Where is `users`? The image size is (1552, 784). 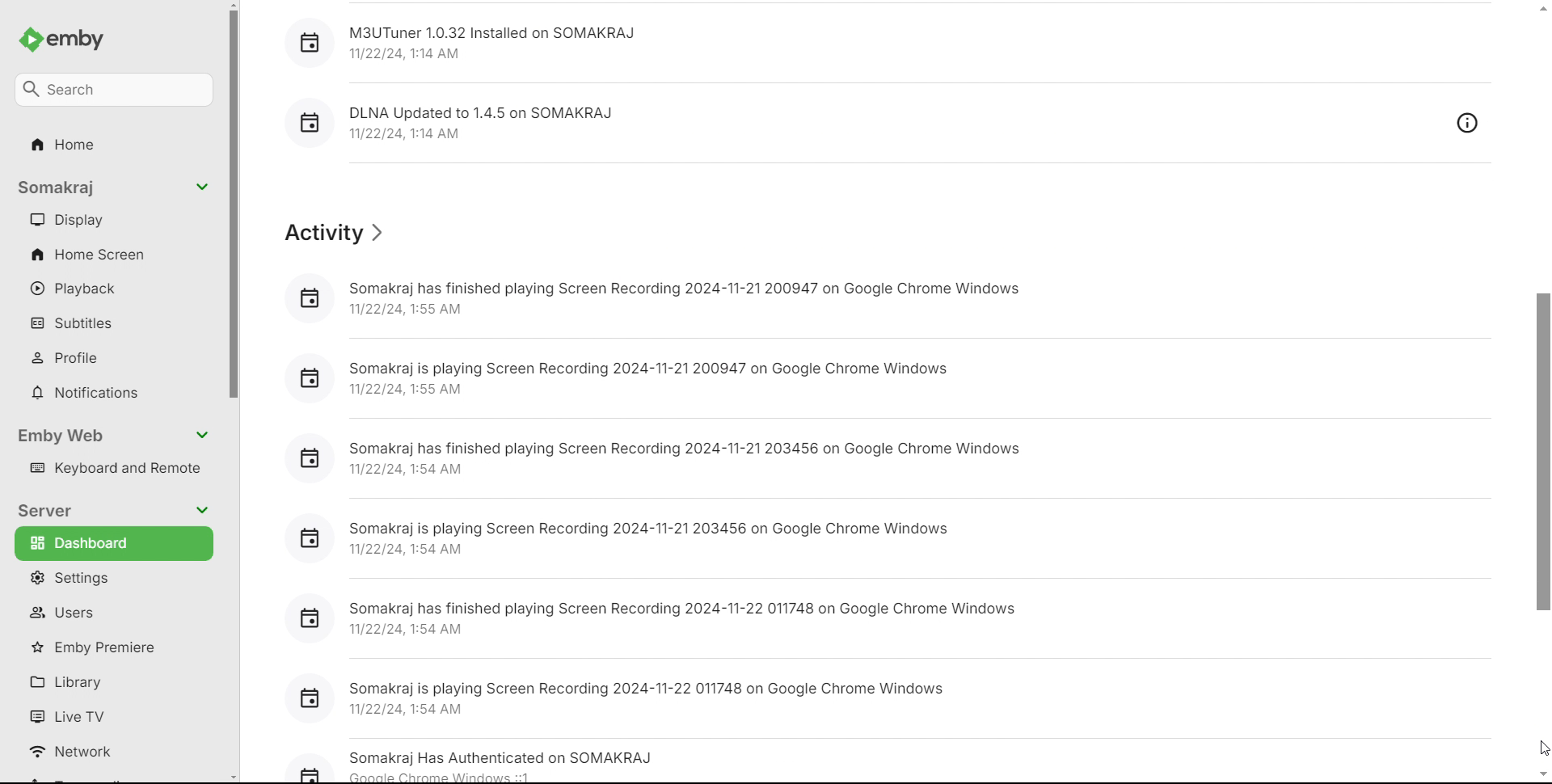
users is located at coordinates (111, 612).